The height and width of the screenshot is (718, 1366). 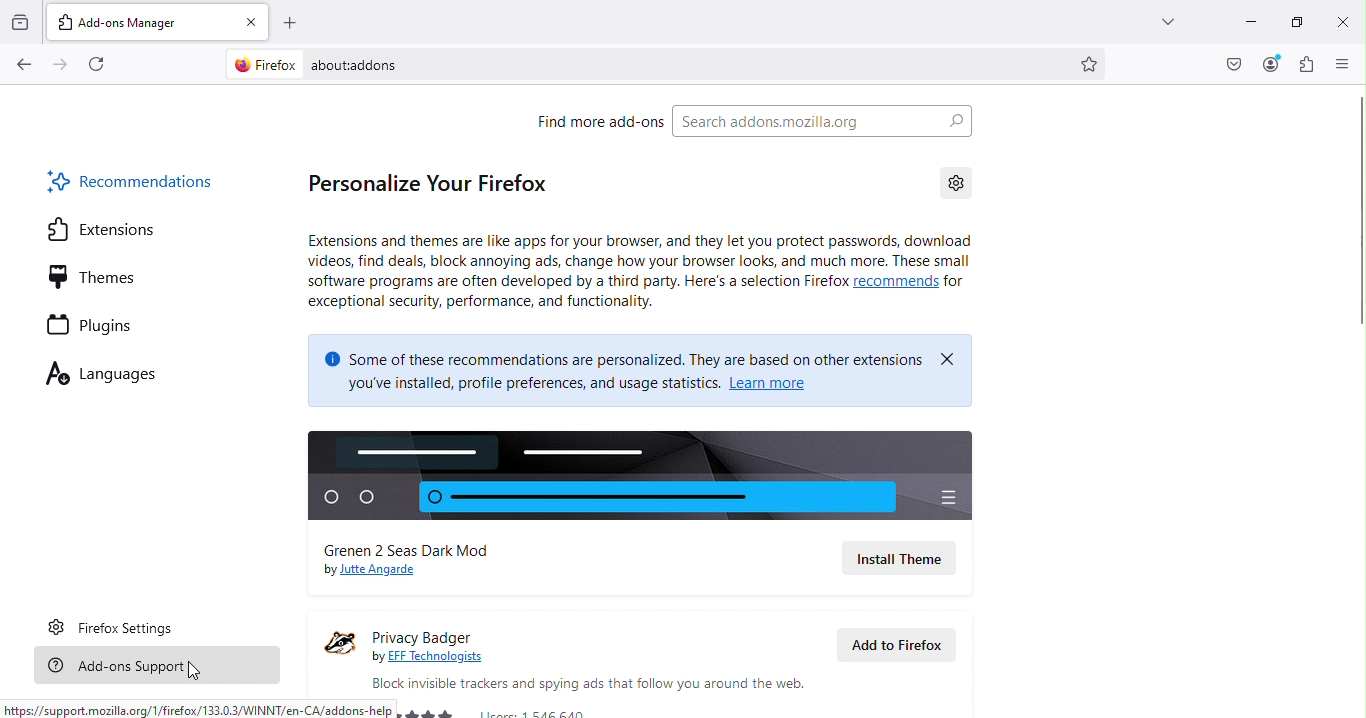 I want to click on privacy icon, so click(x=334, y=646).